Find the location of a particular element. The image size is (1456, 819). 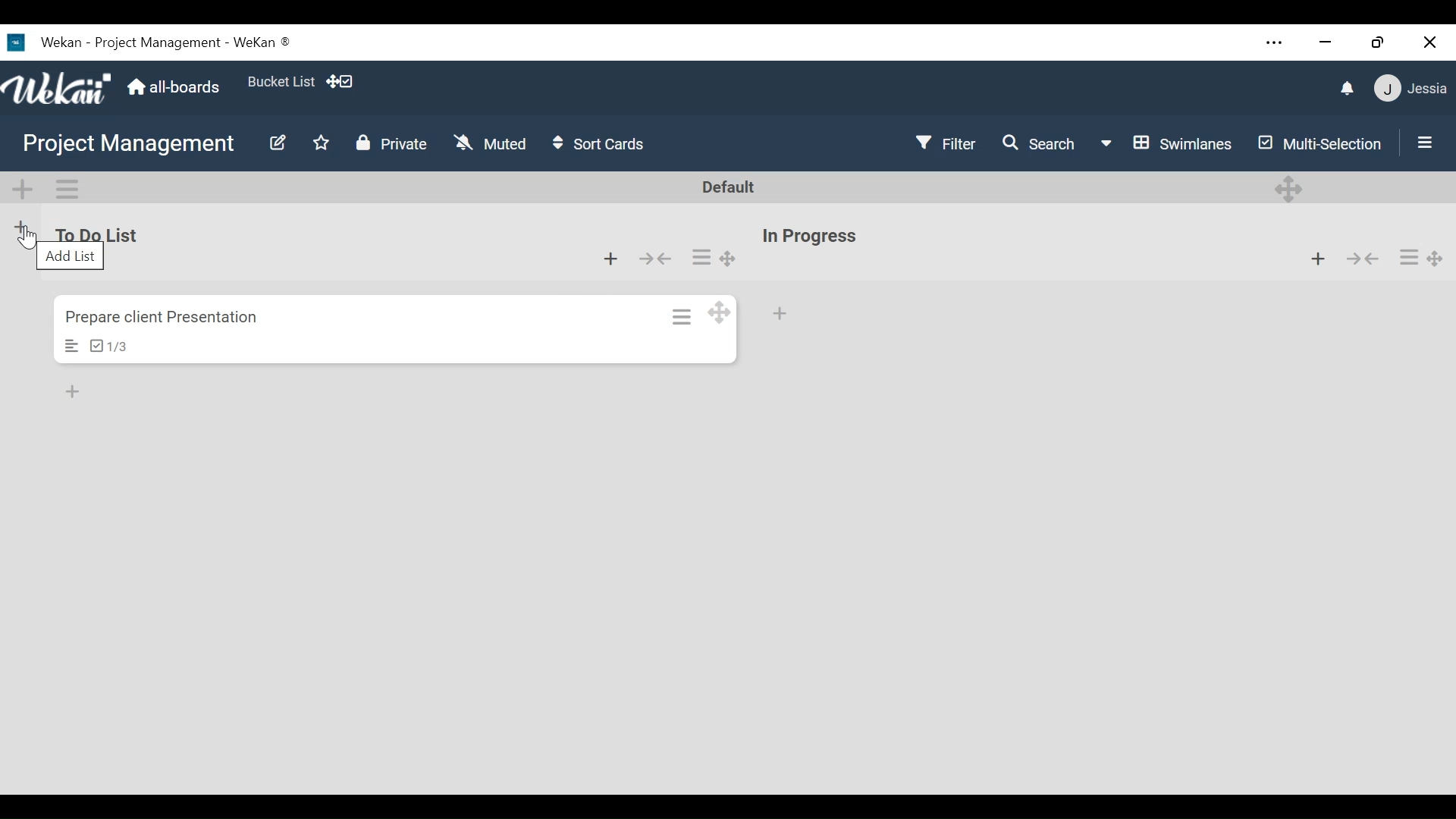

Cursor is located at coordinates (27, 239).